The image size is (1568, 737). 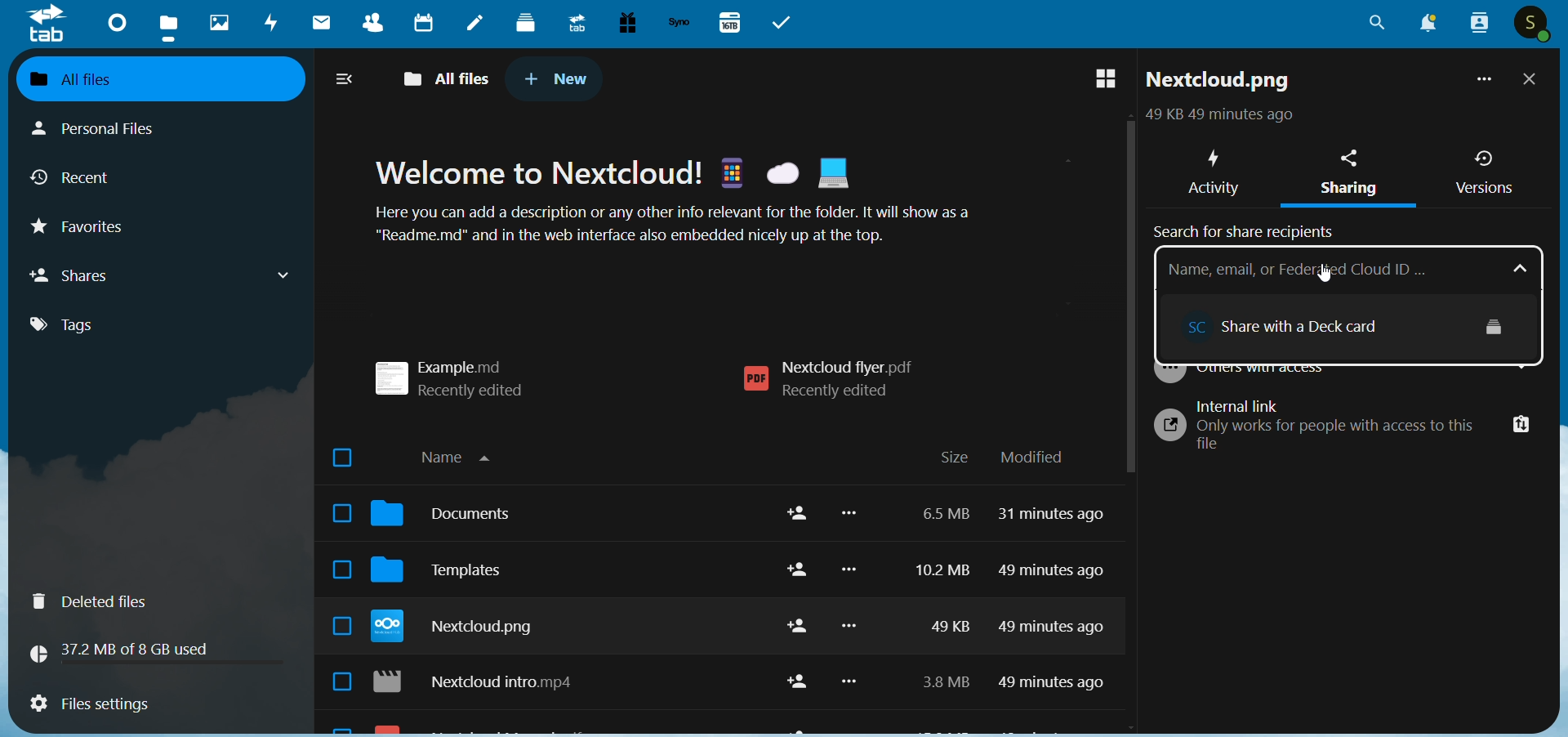 I want to click on dock, so click(x=526, y=22).